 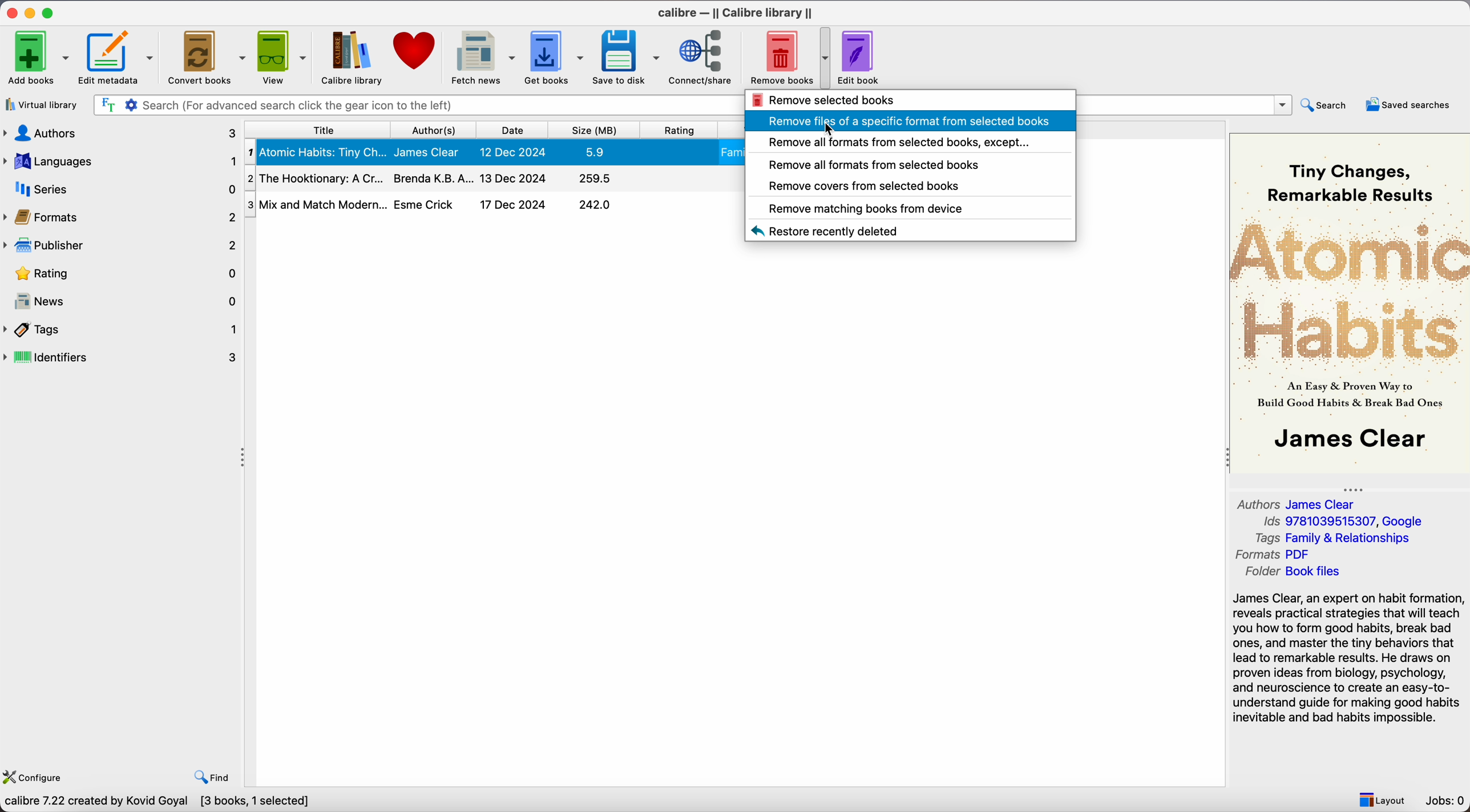 I want to click on book cover preview, so click(x=1350, y=302).